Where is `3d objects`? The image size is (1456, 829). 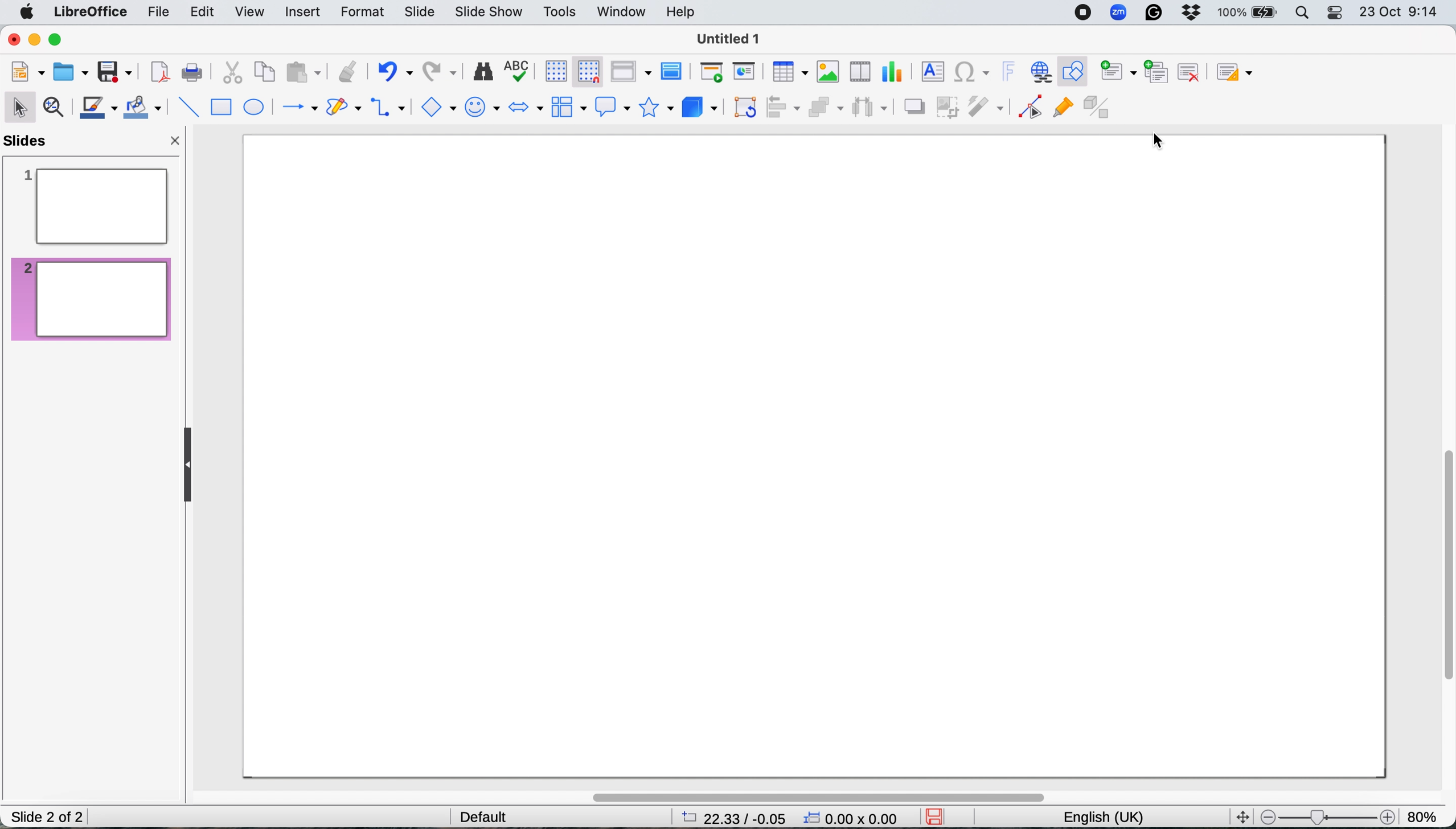
3d objects is located at coordinates (701, 106).